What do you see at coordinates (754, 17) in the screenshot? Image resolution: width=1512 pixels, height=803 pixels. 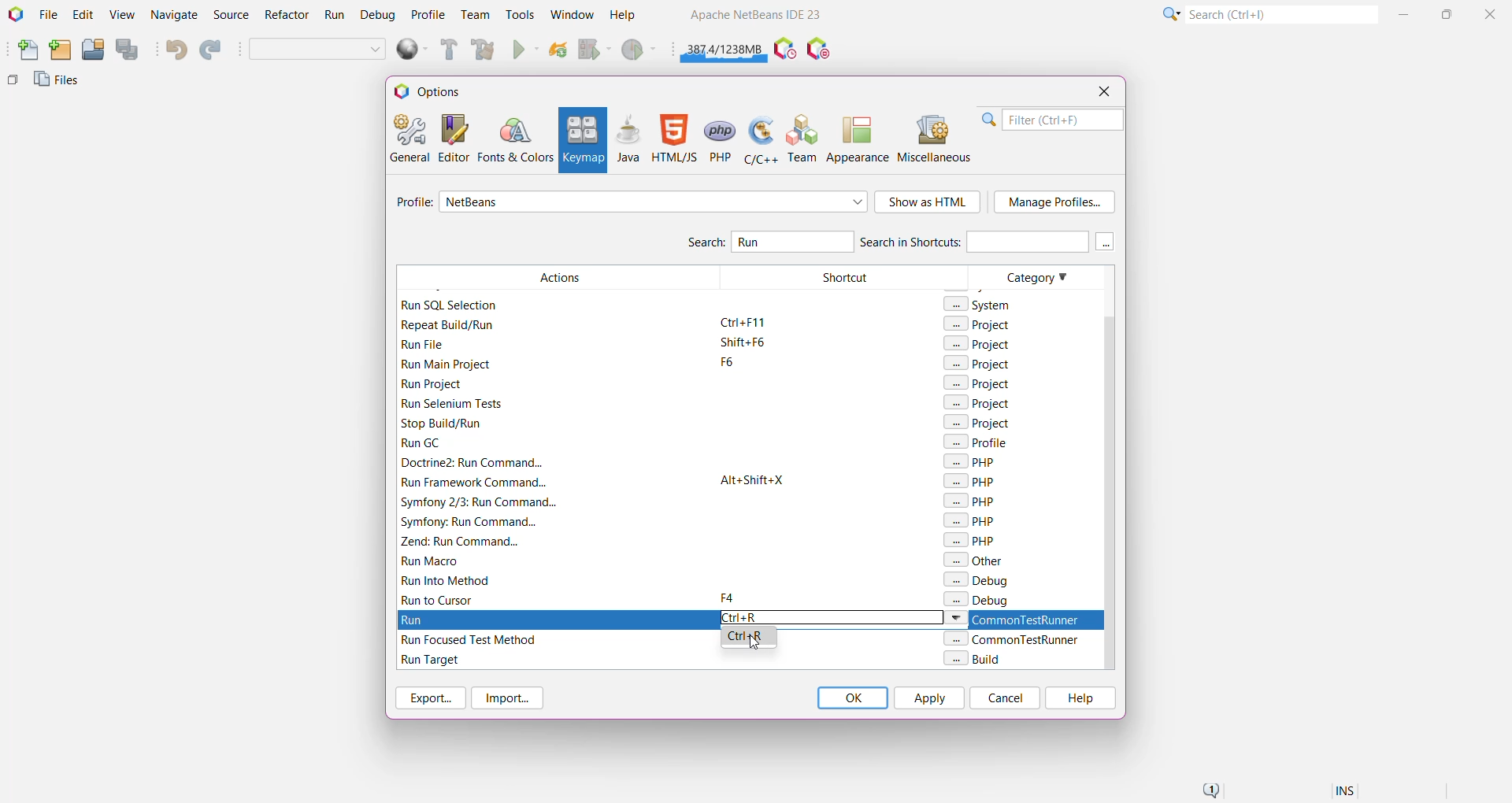 I see `Application name and Version` at bounding box center [754, 17].